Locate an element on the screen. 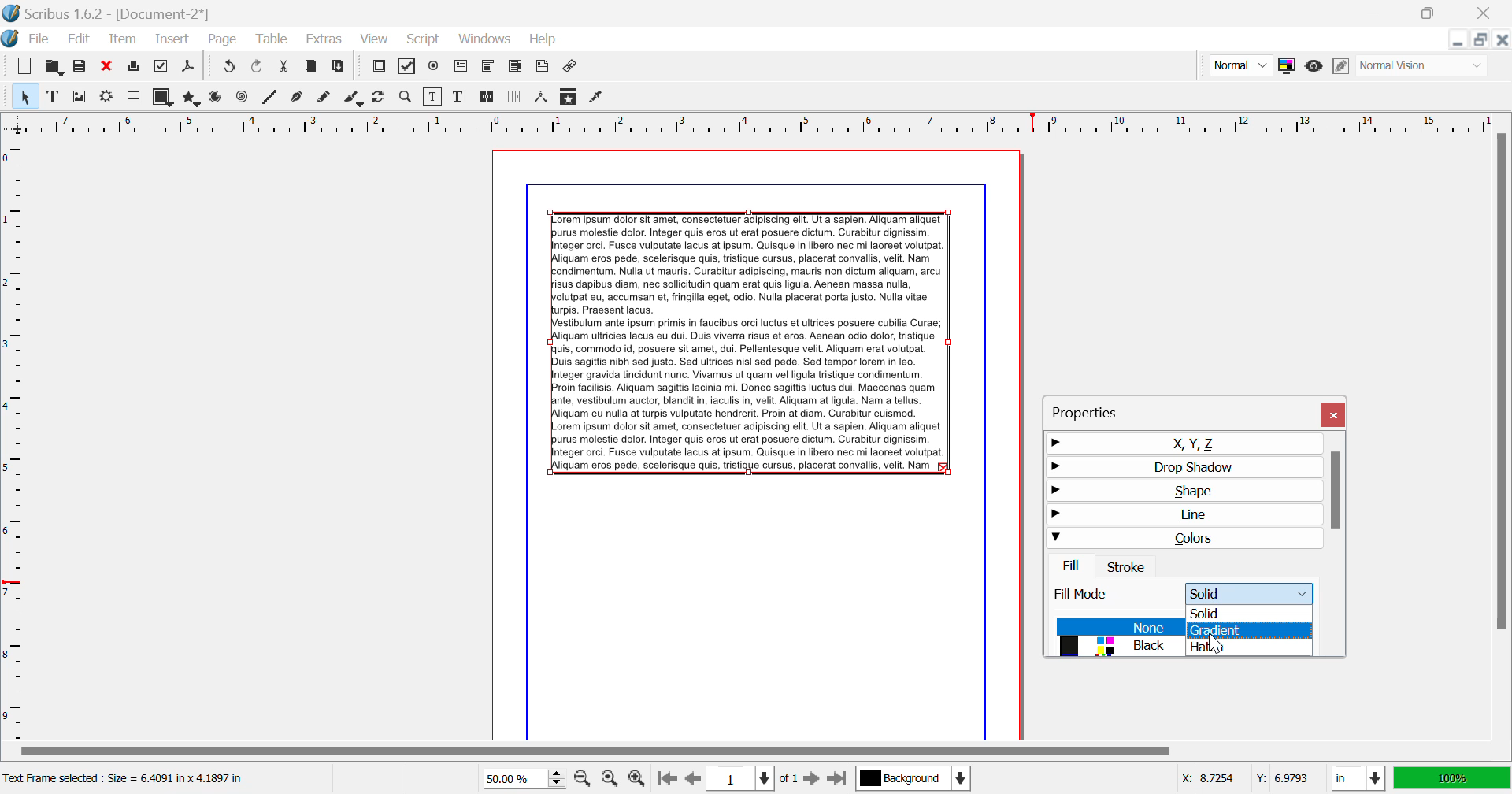 The width and height of the screenshot is (1512, 794). Copy is located at coordinates (312, 69).